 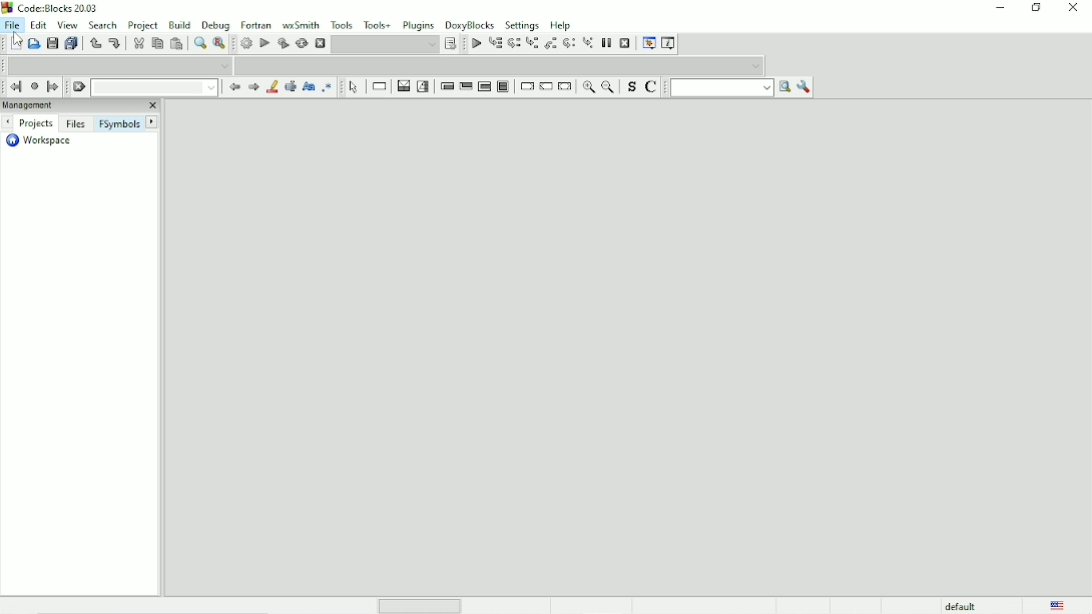 I want to click on default, so click(x=961, y=605).